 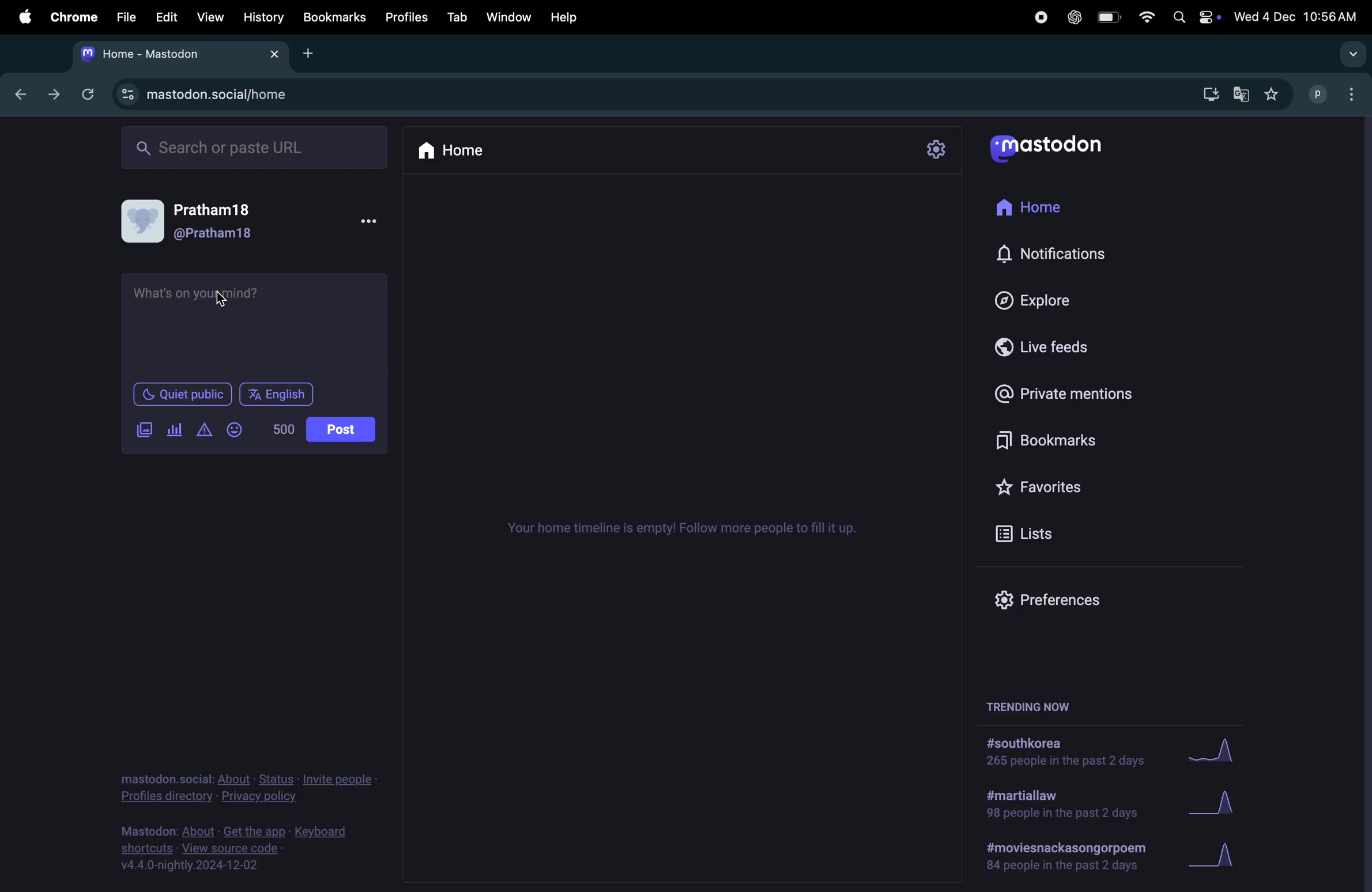 I want to click on View, so click(x=211, y=14).